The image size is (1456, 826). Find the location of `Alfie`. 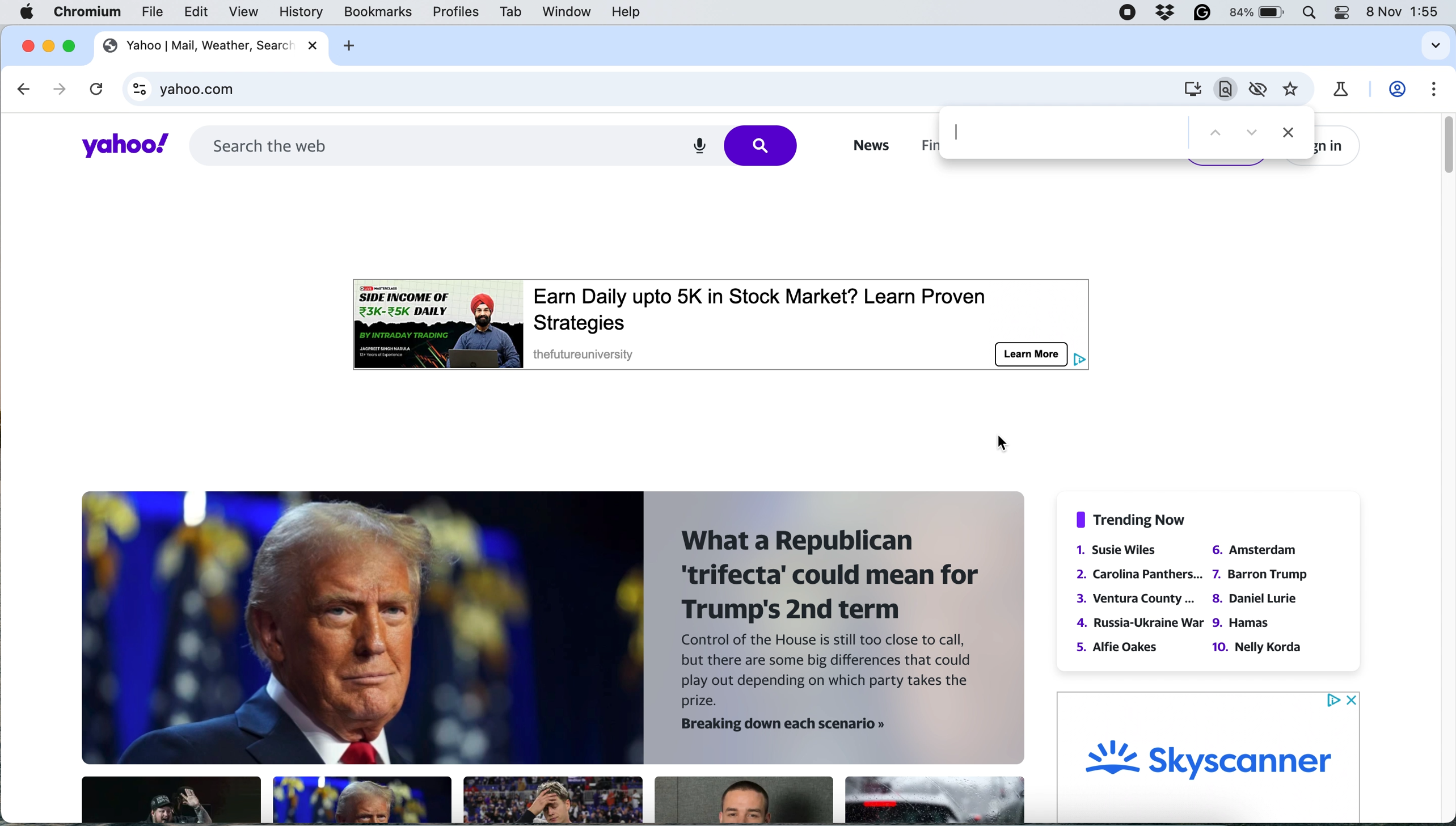

Alfie is located at coordinates (1119, 646).